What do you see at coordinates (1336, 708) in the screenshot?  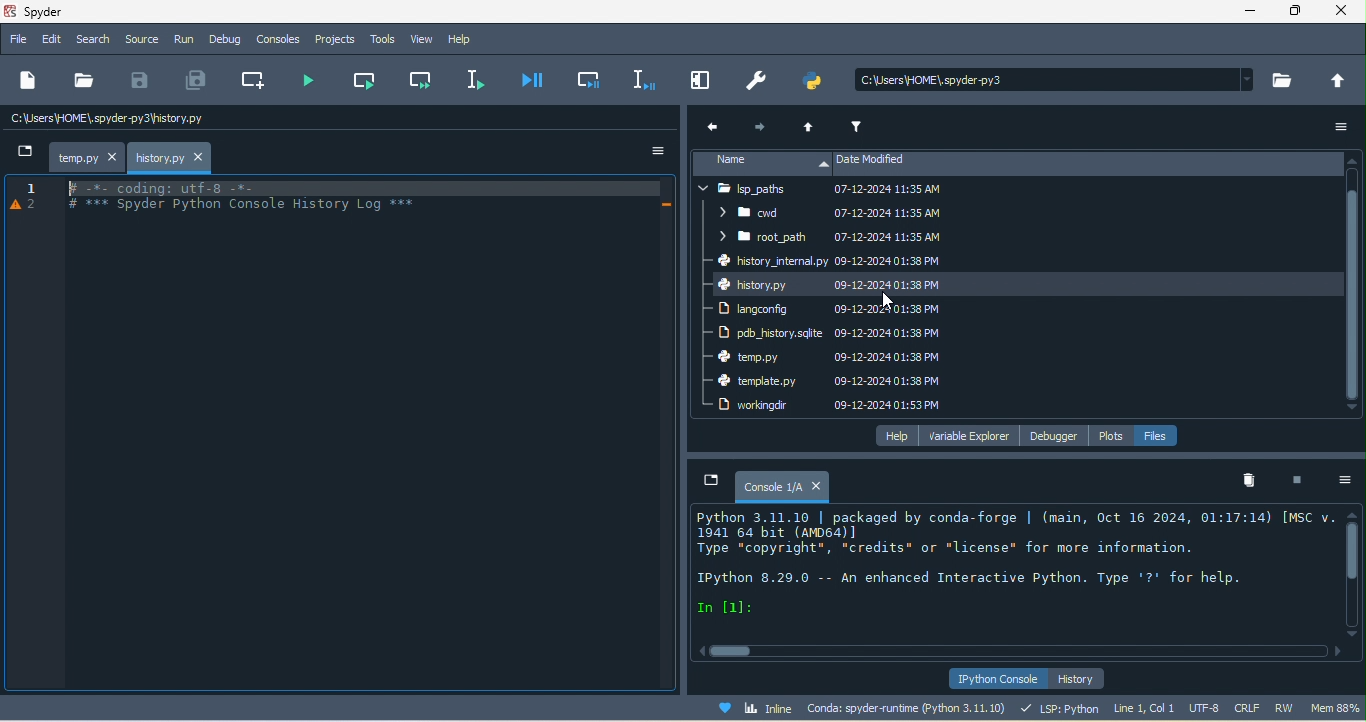 I see `mem 83%` at bounding box center [1336, 708].